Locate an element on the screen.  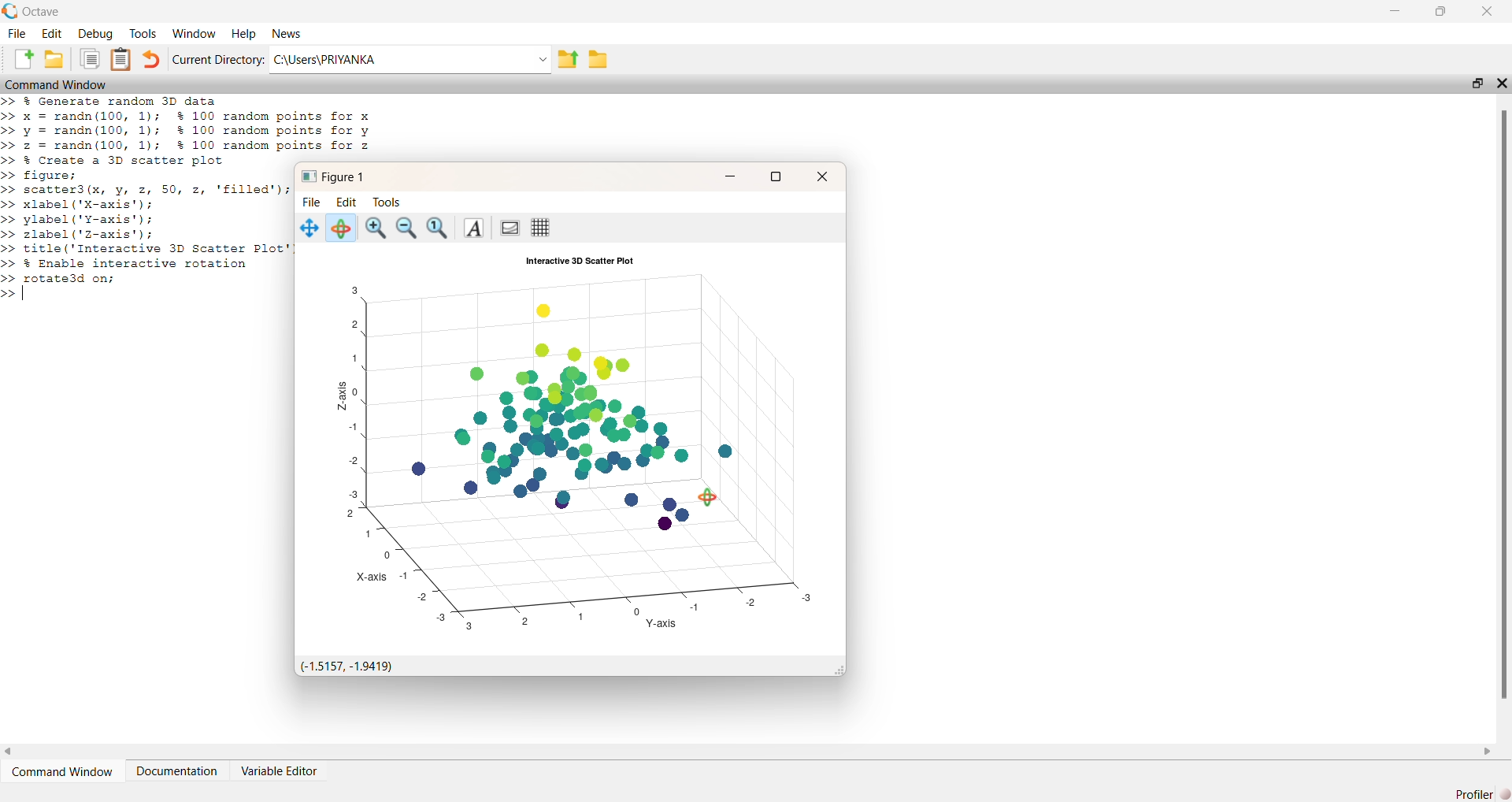
Current Directory: is located at coordinates (218, 60).